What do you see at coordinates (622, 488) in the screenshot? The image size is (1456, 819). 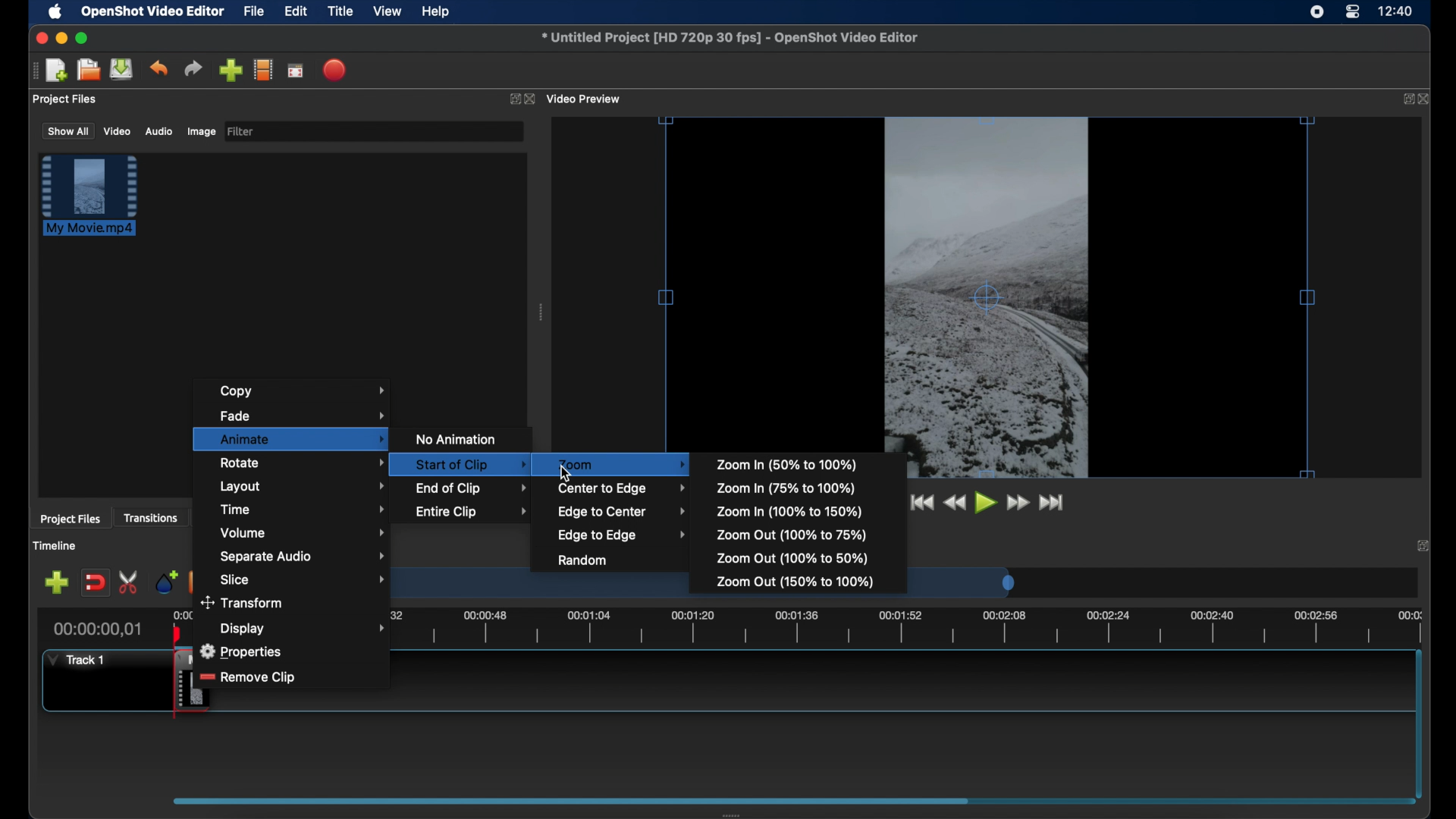 I see `center to edge  menu` at bounding box center [622, 488].